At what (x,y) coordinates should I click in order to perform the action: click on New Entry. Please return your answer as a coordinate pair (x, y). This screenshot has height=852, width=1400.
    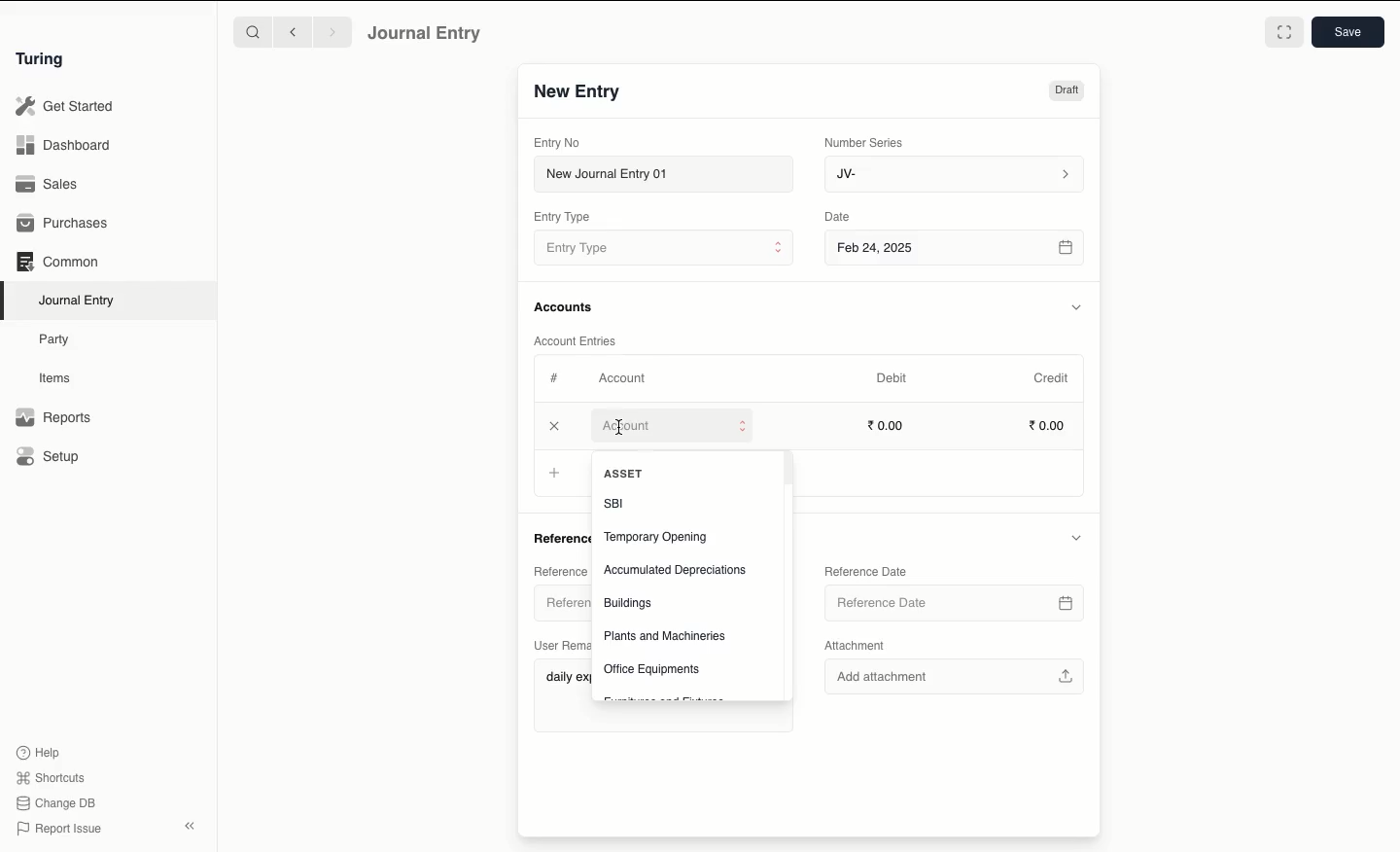
    Looking at the image, I should click on (578, 92).